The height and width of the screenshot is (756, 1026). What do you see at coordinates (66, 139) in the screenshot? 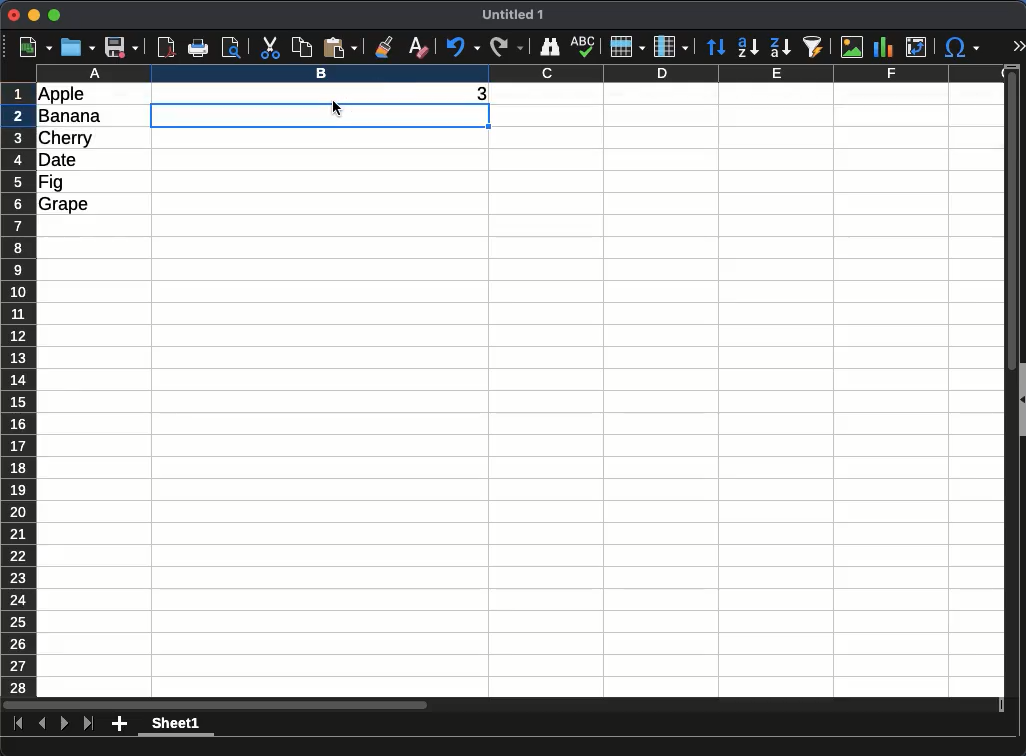
I see `cherry` at bounding box center [66, 139].